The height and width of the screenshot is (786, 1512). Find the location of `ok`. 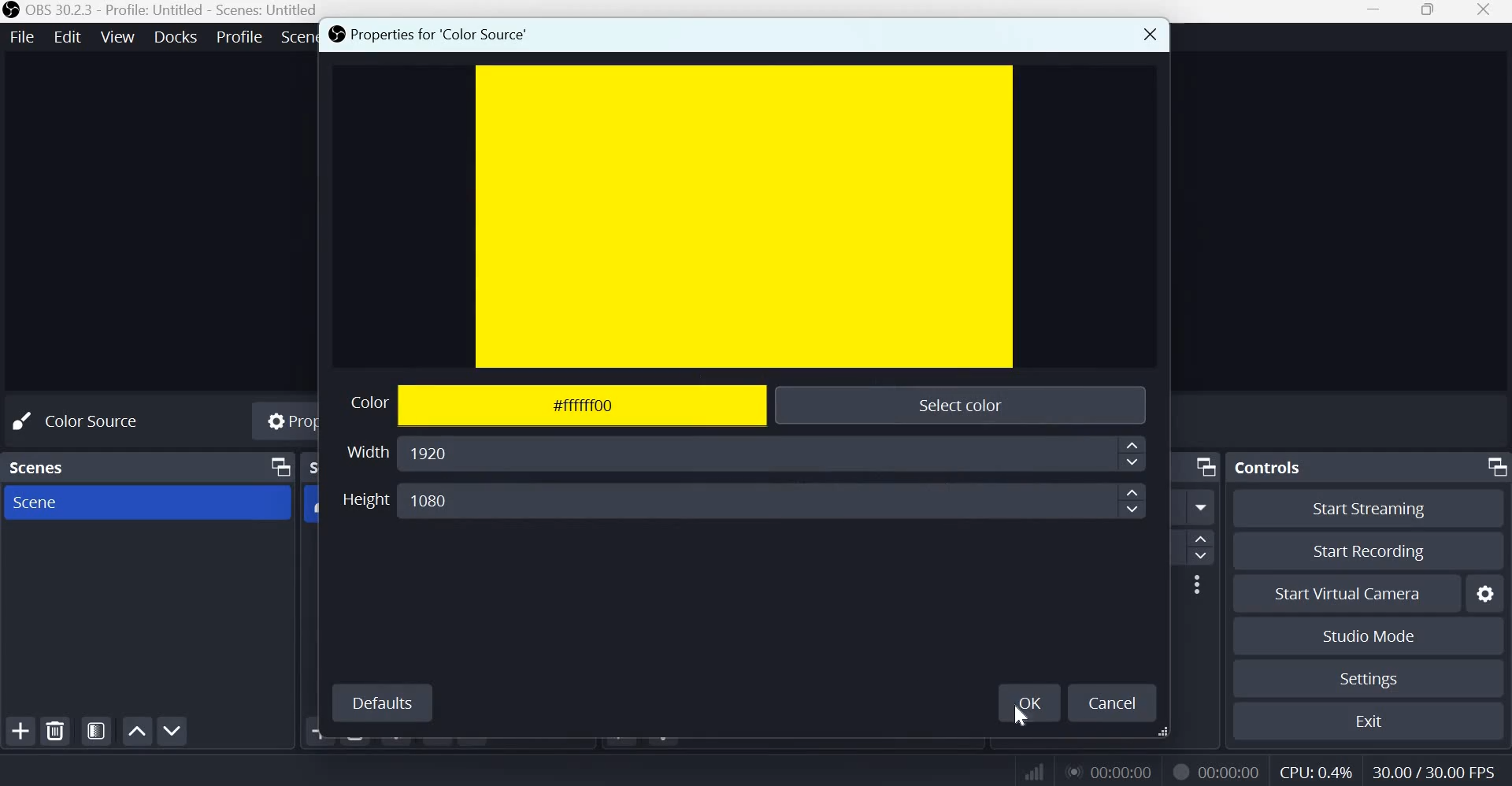

ok is located at coordinates (1031, 700).